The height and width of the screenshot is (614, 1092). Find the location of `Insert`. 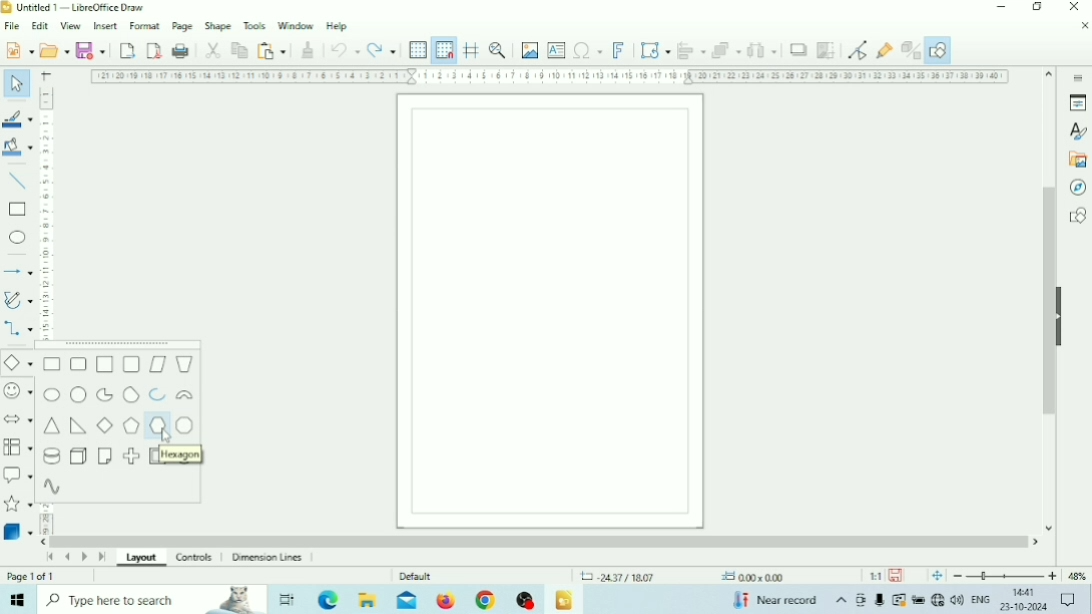

Insert is located at coordinates (106, 25).